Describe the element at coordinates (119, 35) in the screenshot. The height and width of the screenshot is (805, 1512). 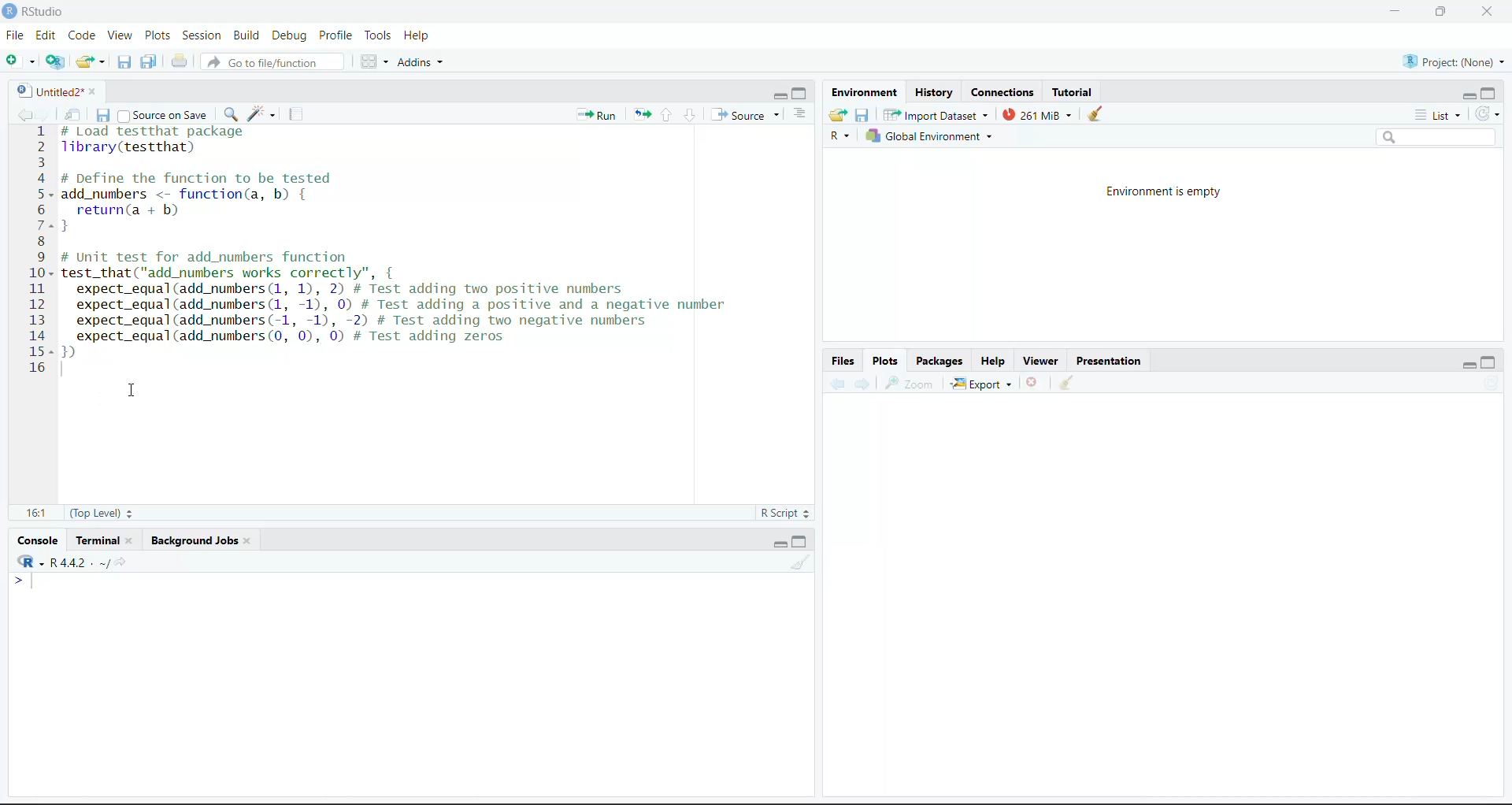
I see `View` at that location.